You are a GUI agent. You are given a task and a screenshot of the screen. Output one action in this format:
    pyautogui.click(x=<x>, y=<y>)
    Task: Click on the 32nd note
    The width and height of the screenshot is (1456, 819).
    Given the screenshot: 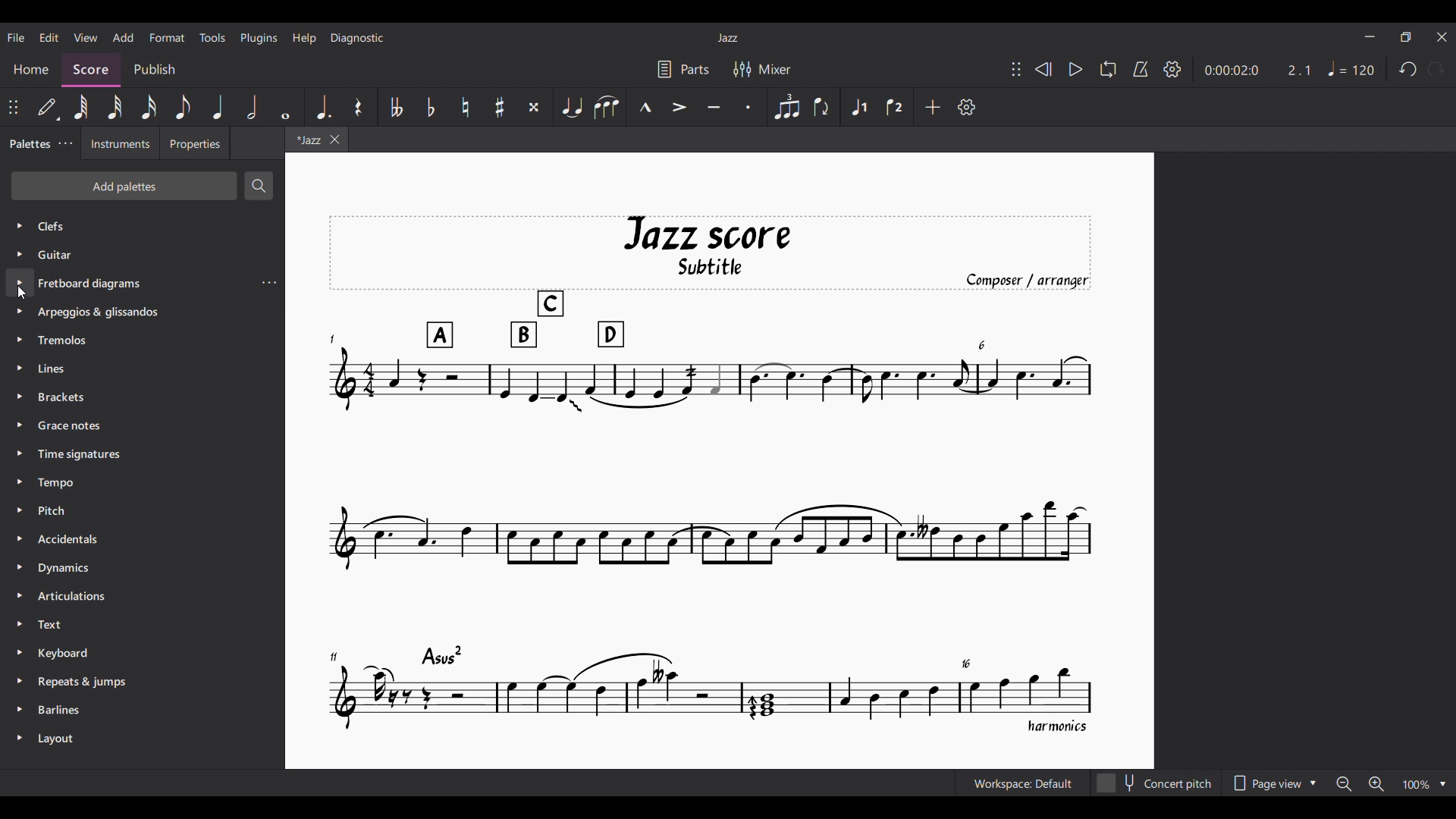 What is the action you would take?
    pyautogui.click(x=115, y=107)
    